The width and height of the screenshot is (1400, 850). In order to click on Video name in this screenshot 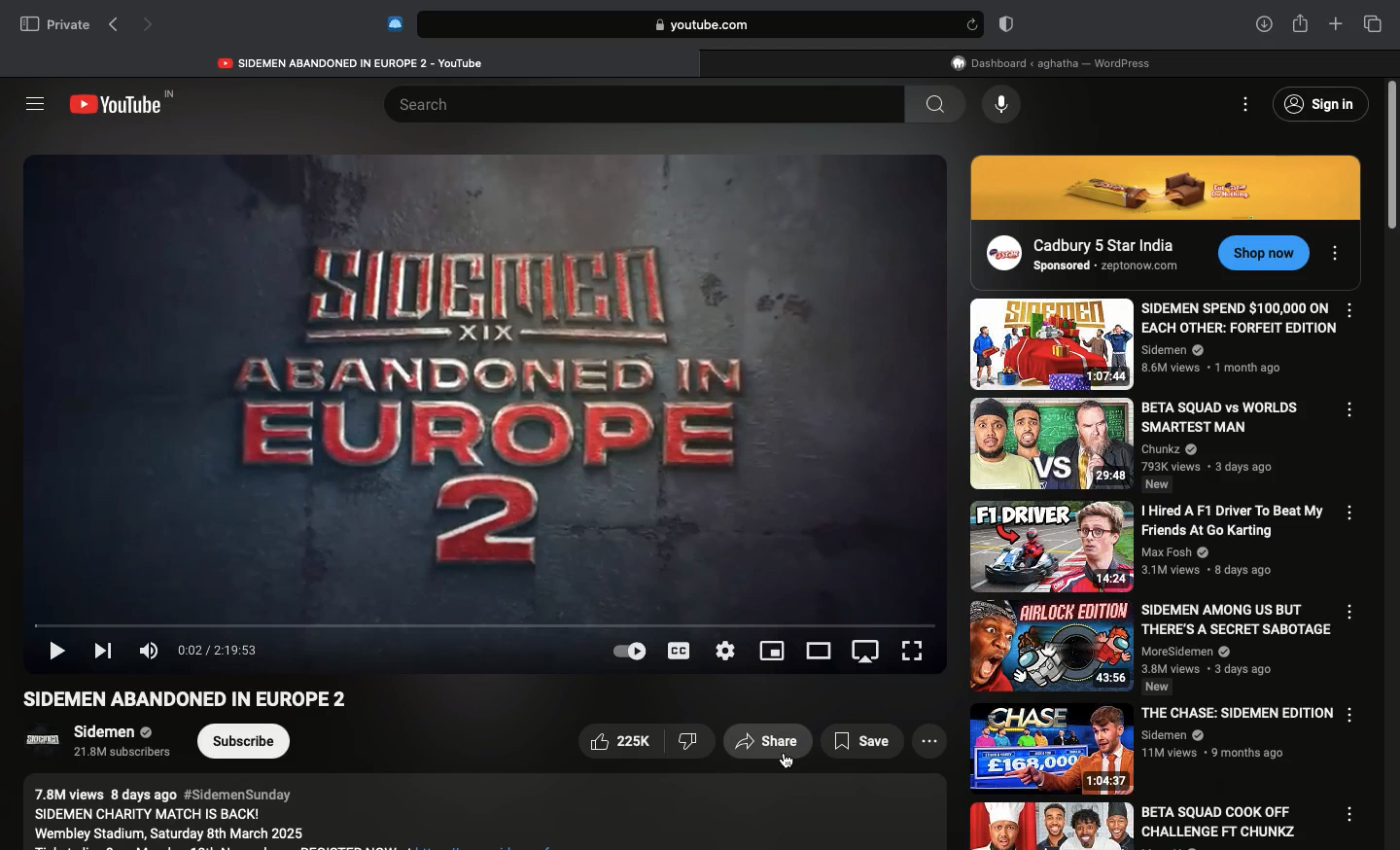, I will do `click(1145, 545)`.